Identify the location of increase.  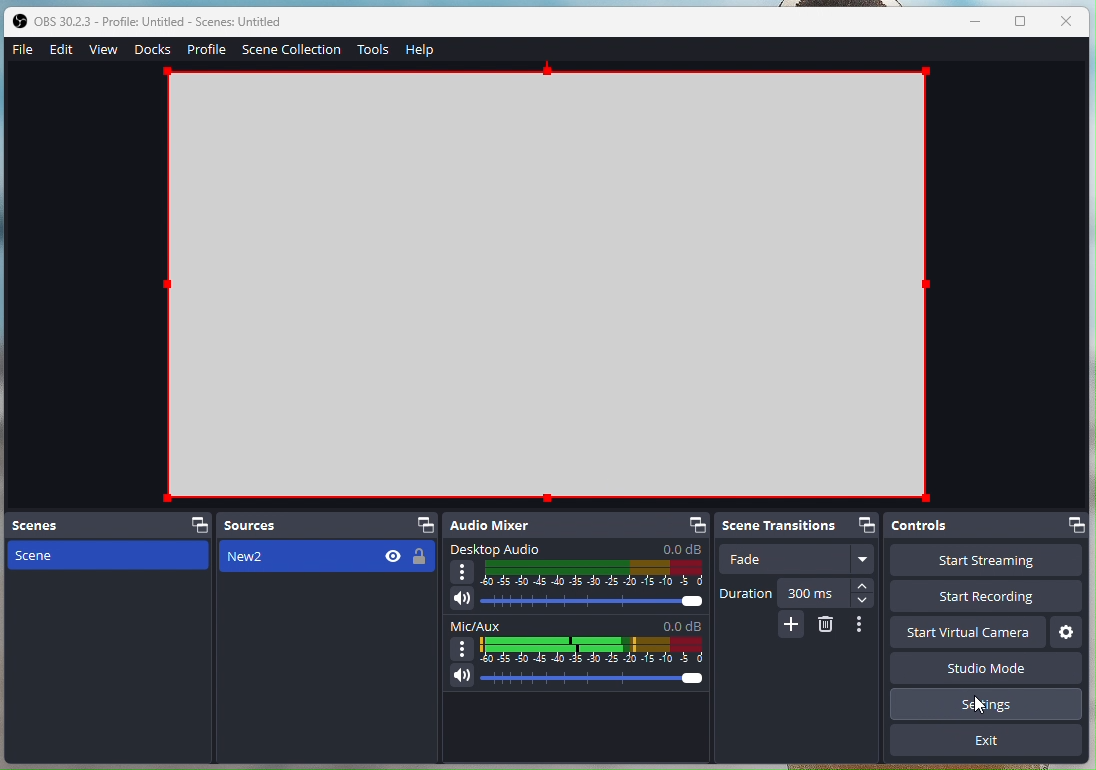
(862, 584).